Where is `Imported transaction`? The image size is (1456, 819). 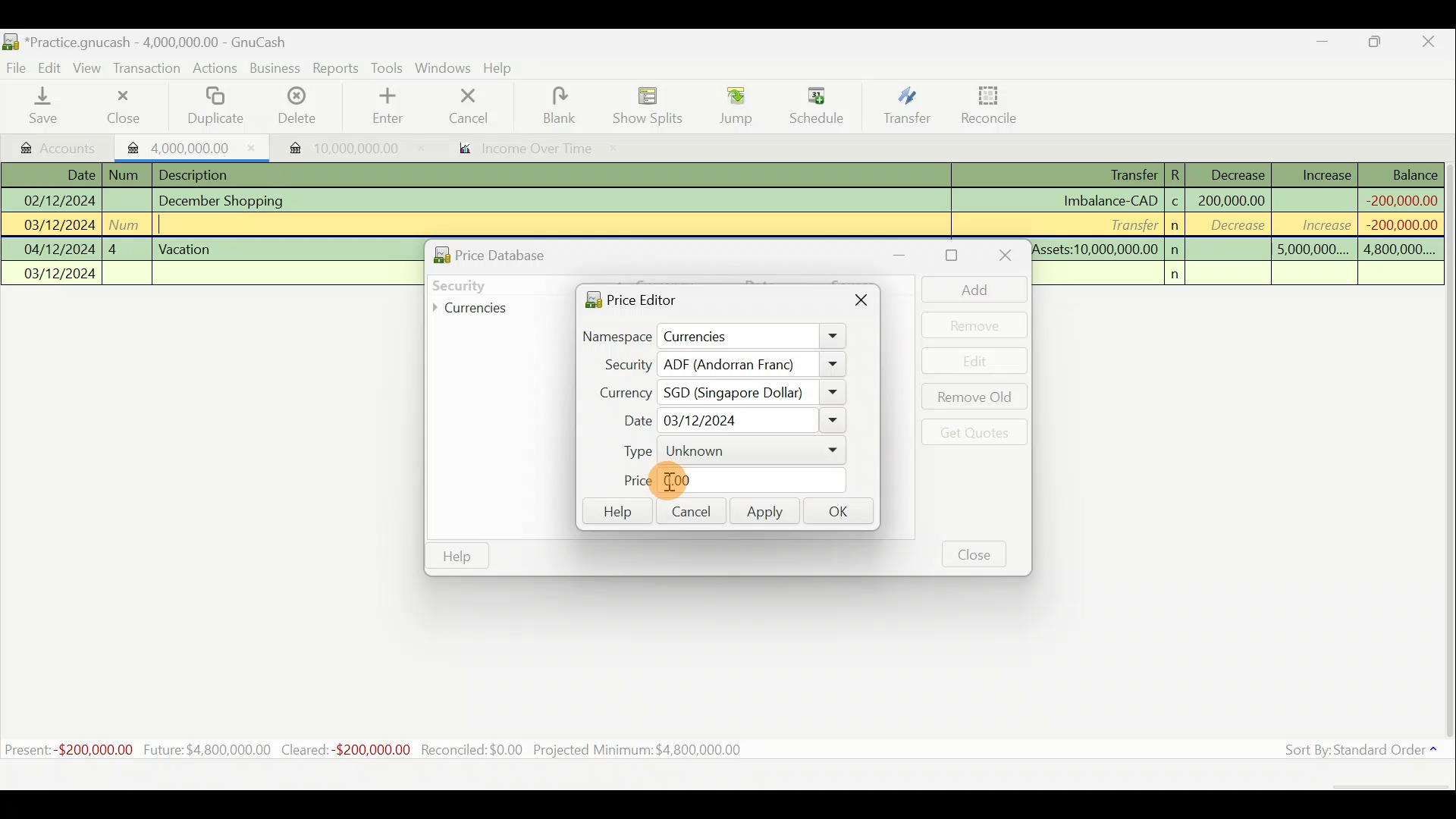 Imported transaction is located at coordinates (186, 146).